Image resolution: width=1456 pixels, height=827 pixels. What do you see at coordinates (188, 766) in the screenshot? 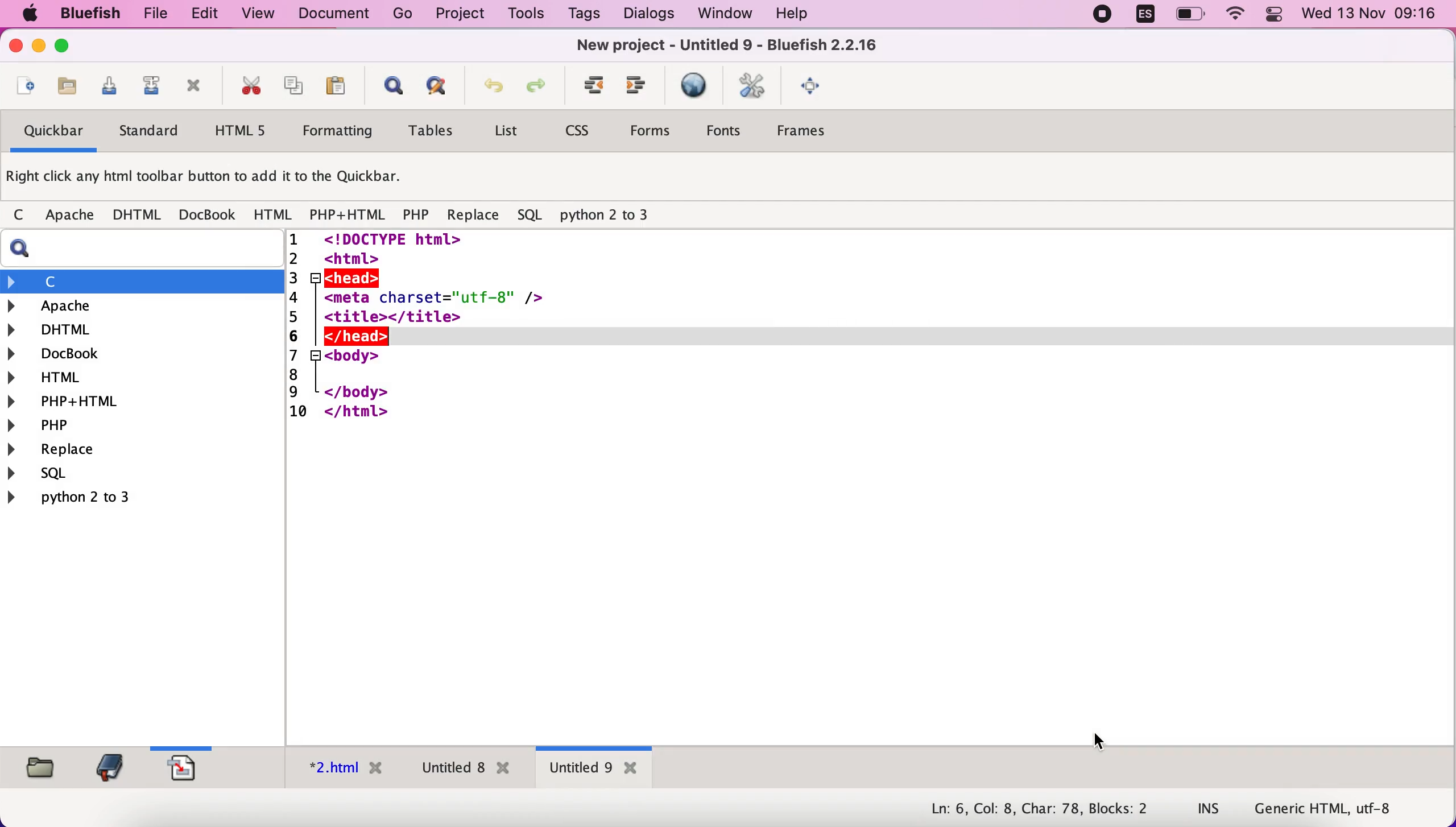
I see `snippets` at bounding box center [188, 766].